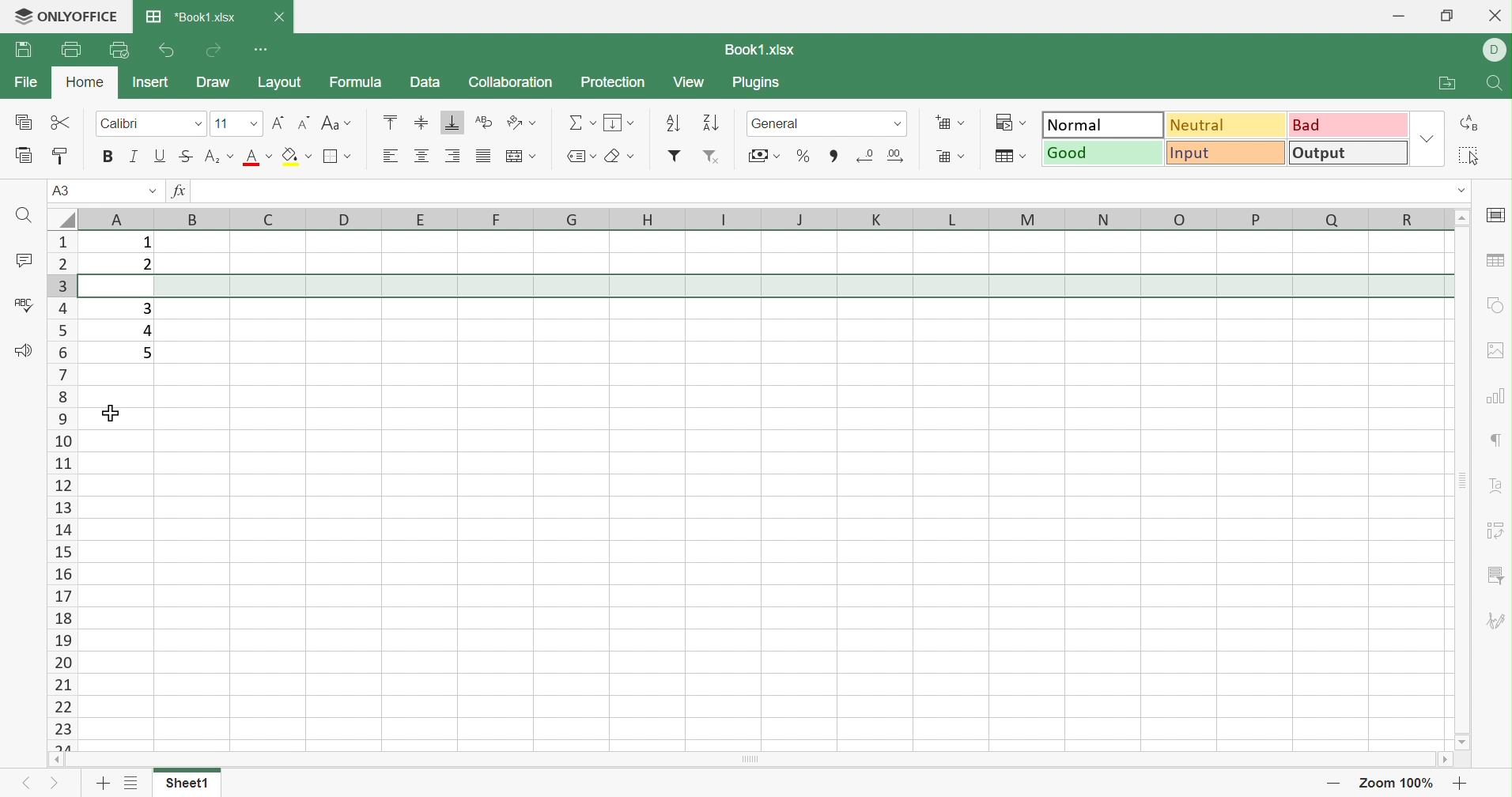  Describe the element at coordinates (1495, 436) in the screenshot. I see `Paragraph settings` at that location.